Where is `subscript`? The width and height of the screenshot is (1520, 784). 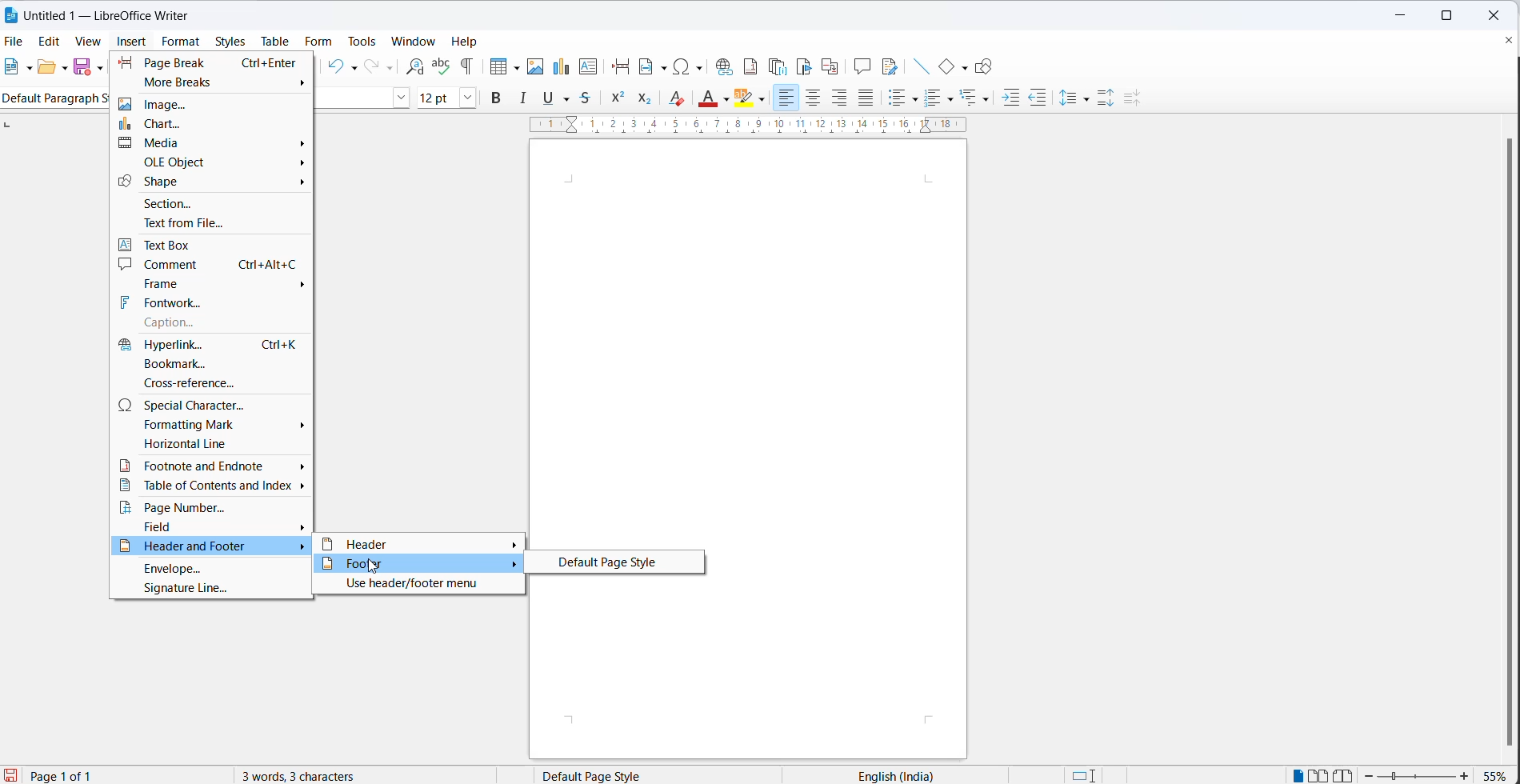
subscript is located at coordinates (645, 98).